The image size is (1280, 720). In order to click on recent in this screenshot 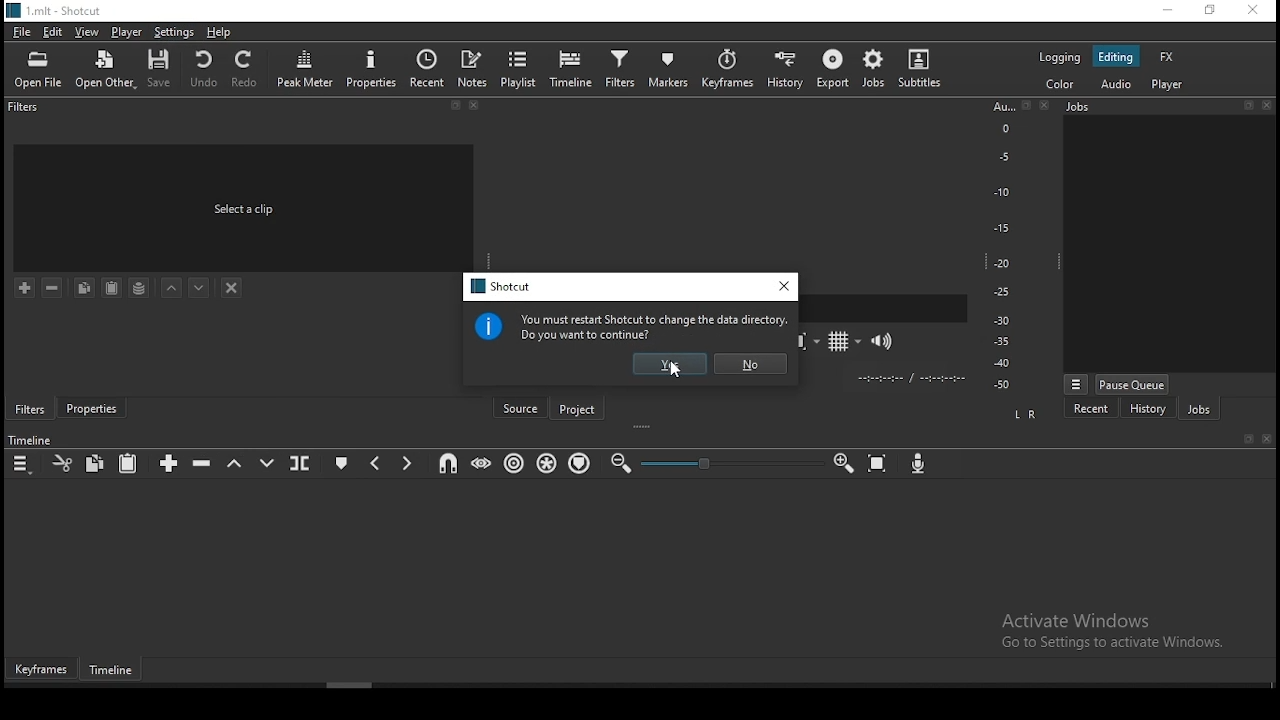, I will do `click(1091, 408)`.